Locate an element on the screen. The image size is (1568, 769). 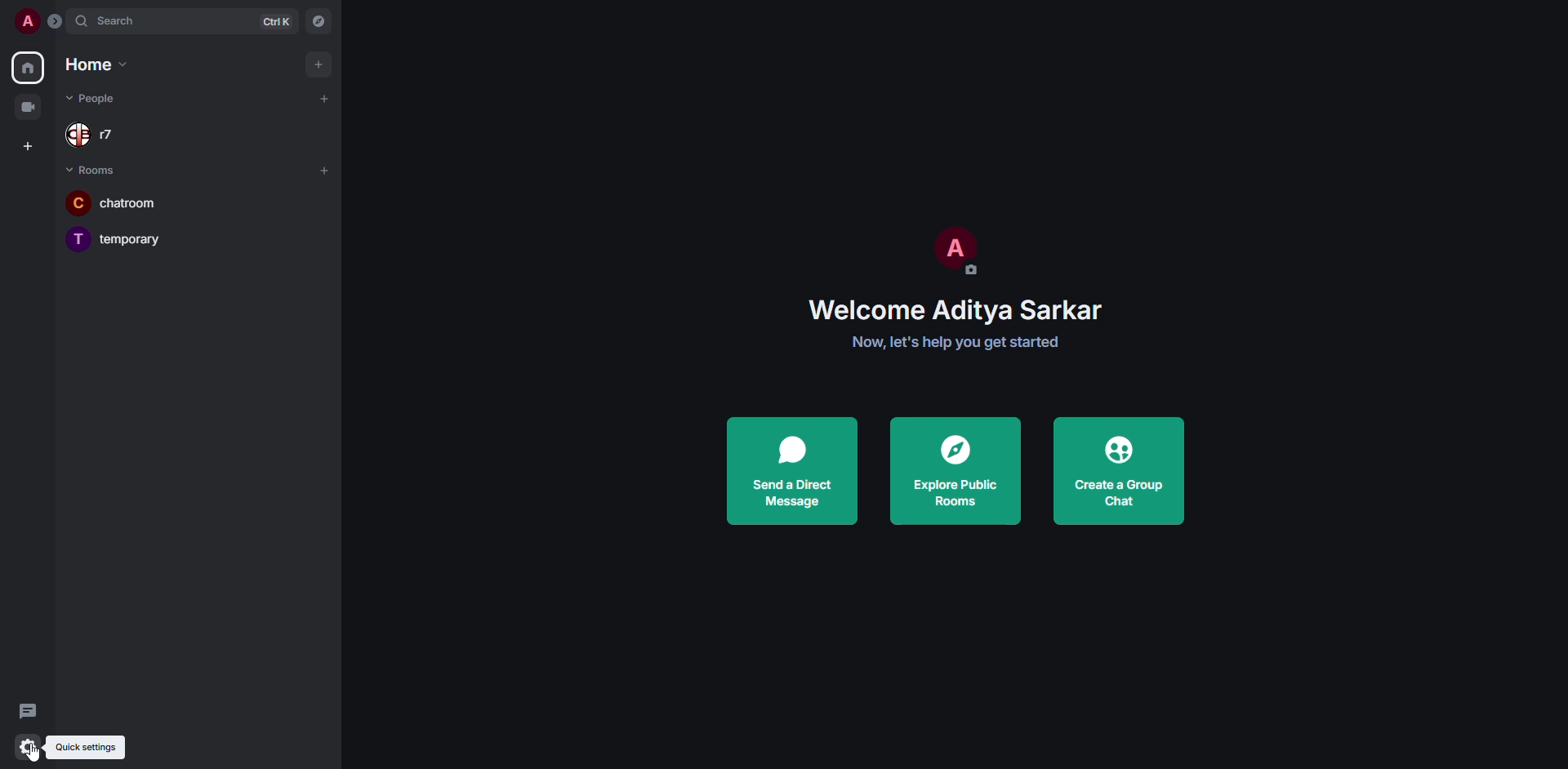
create space is located at coordinates (32, 145).